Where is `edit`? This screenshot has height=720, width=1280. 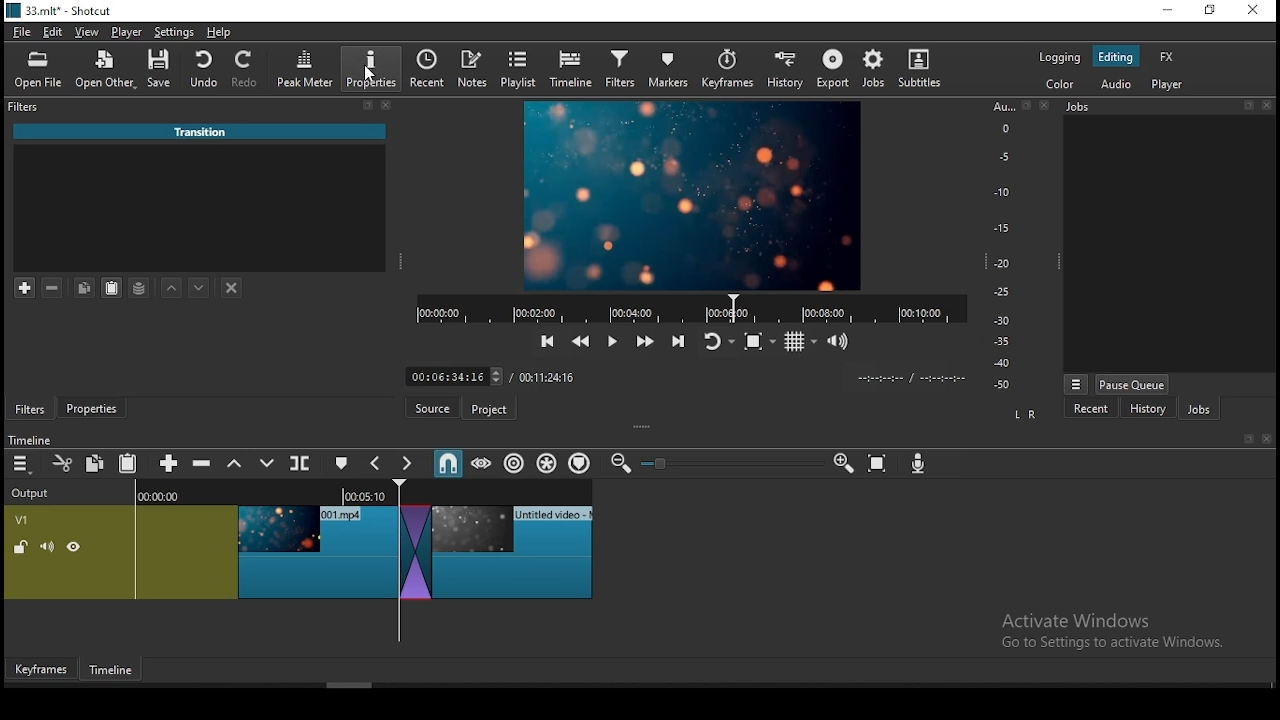
edit is located at coordinates (54, 34).